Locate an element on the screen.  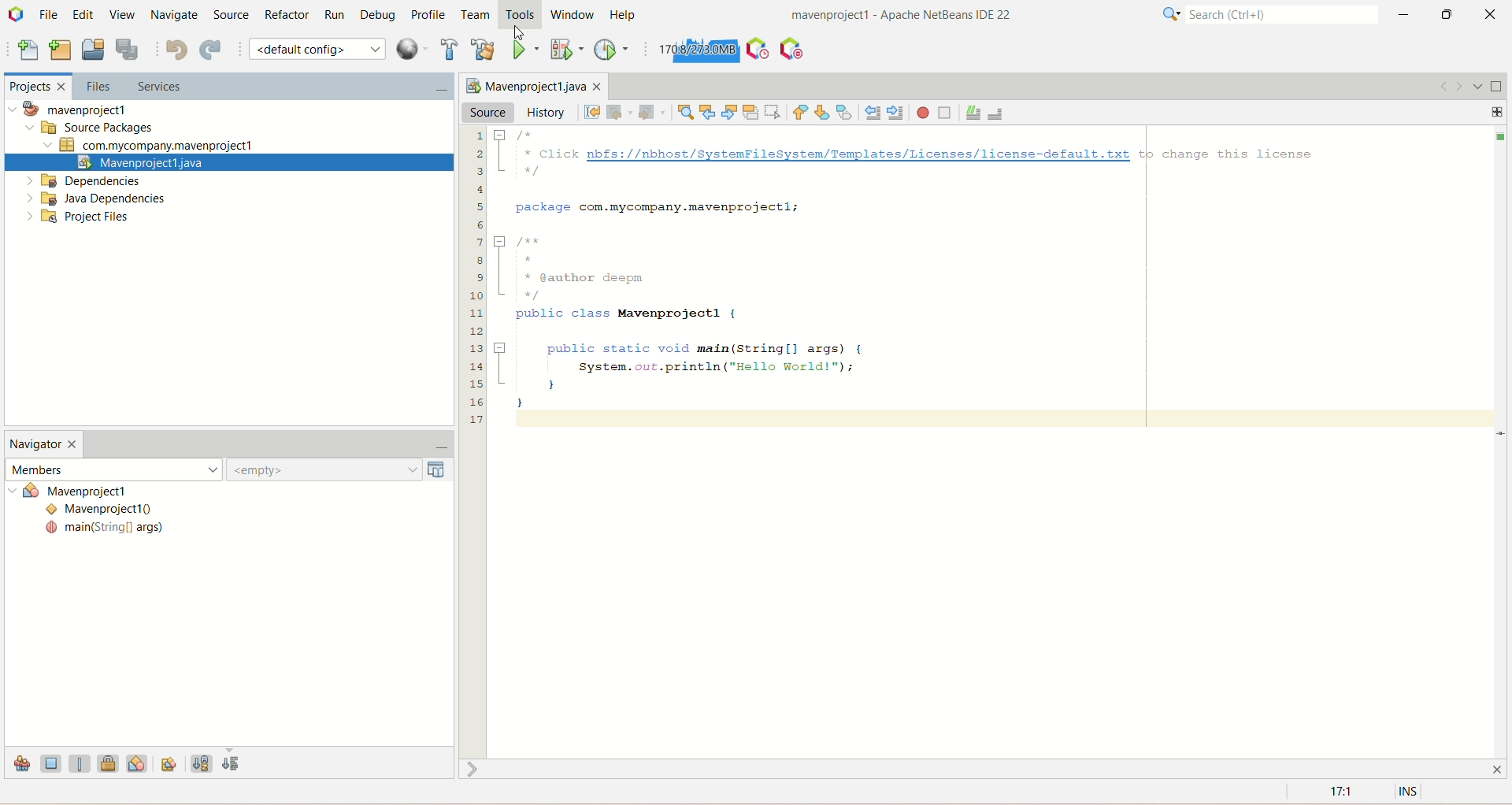
forward is located at coordinates (649, 113).